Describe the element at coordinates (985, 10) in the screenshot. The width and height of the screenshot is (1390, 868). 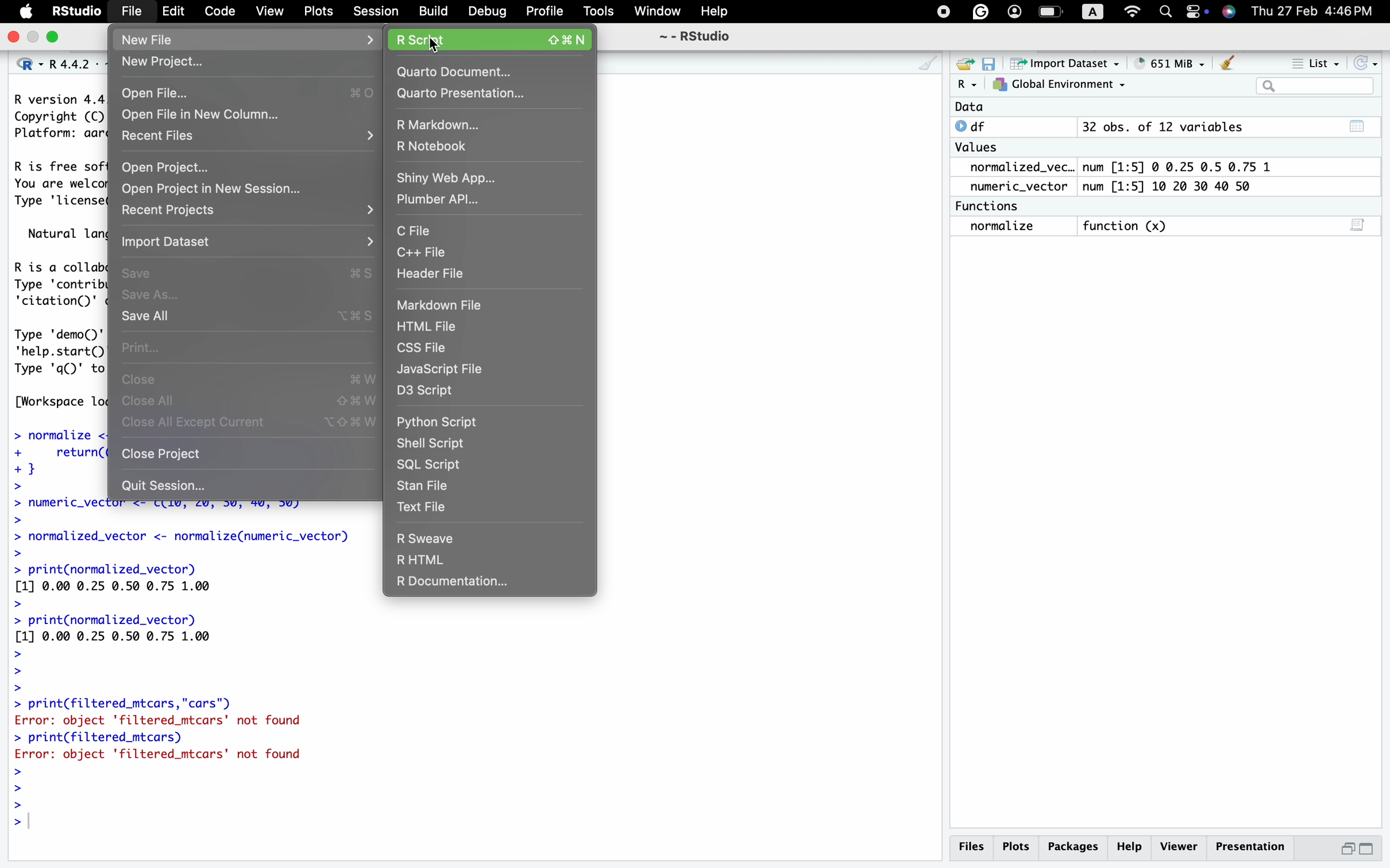
I see `Grammarly` at that location.